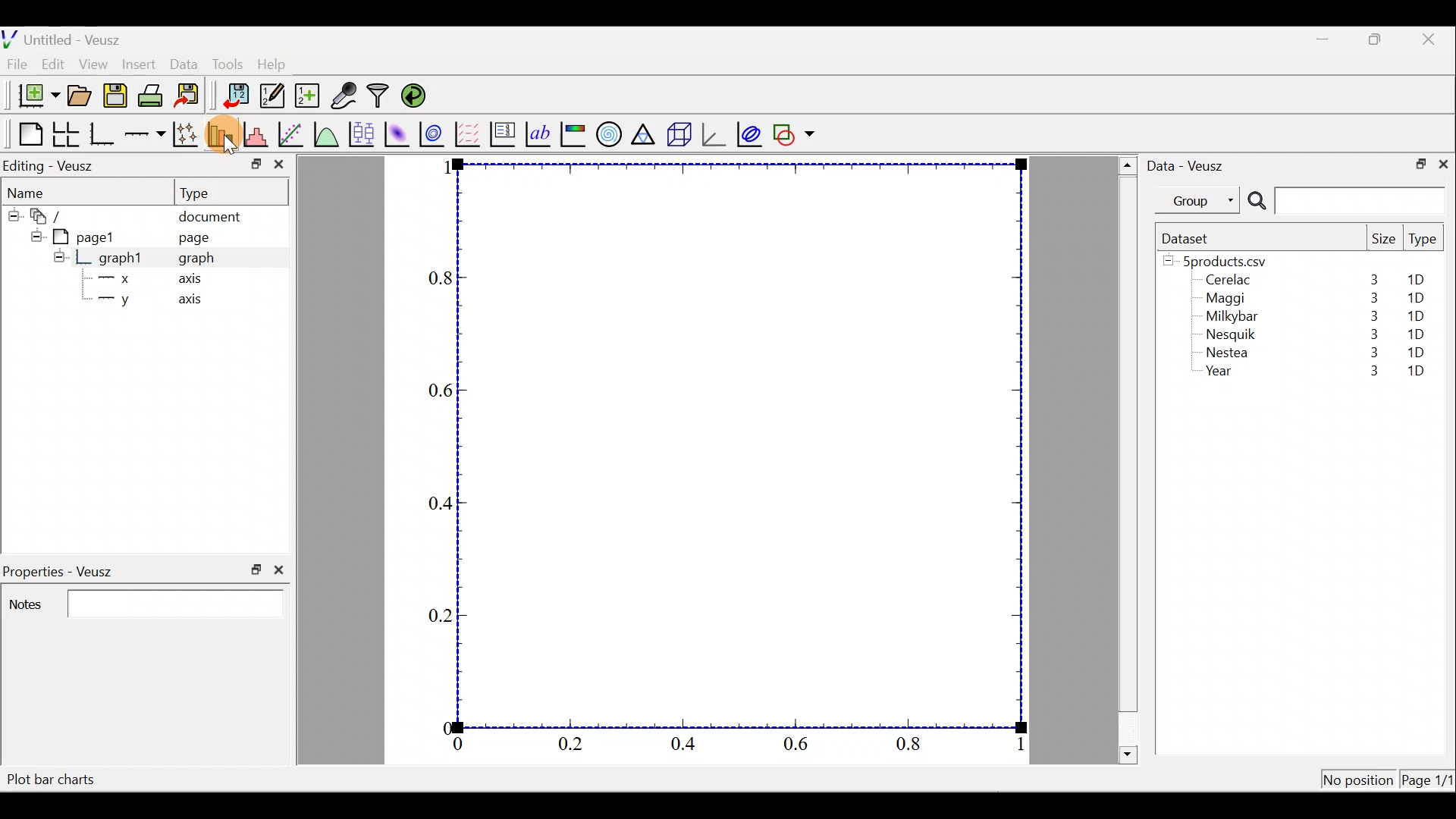  What do you see at coordinates (1415, 298) in the screenshot?
I see `1D` at bounding box center [1415, 298].